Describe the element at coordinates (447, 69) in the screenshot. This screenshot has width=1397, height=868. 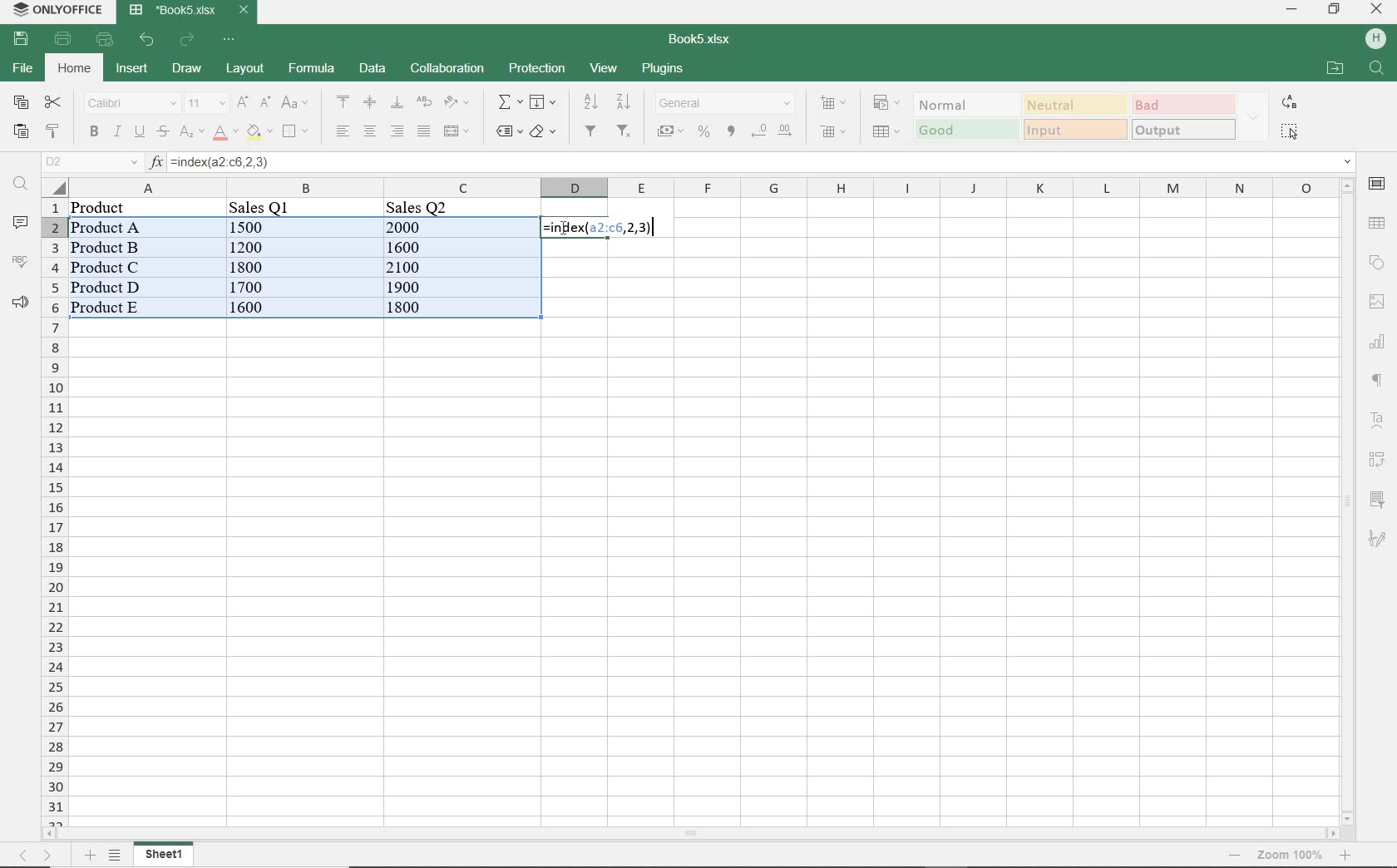
I see `collaboration` at that location.